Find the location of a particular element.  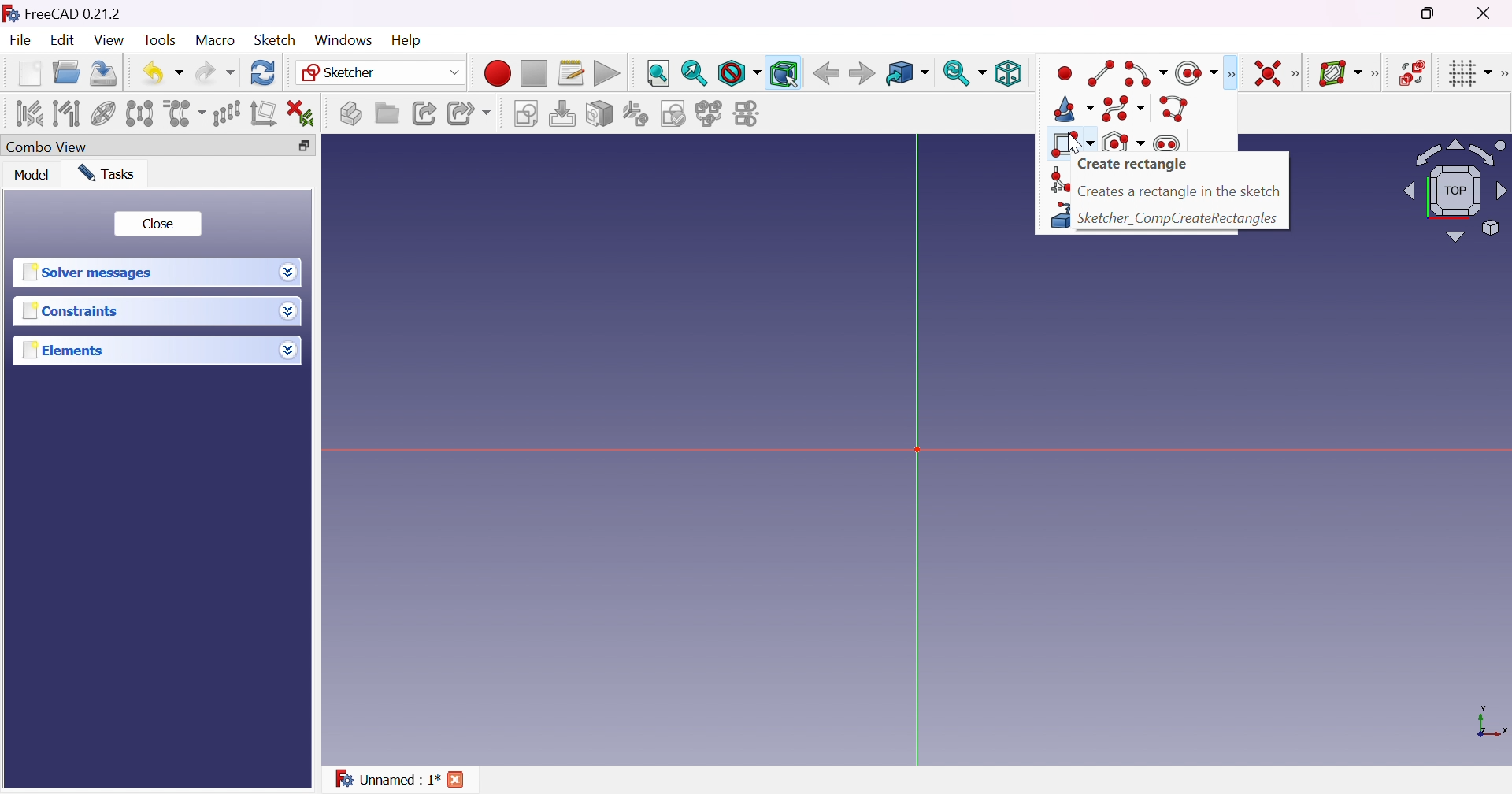

Drop down is located at coordinates (289, 272).